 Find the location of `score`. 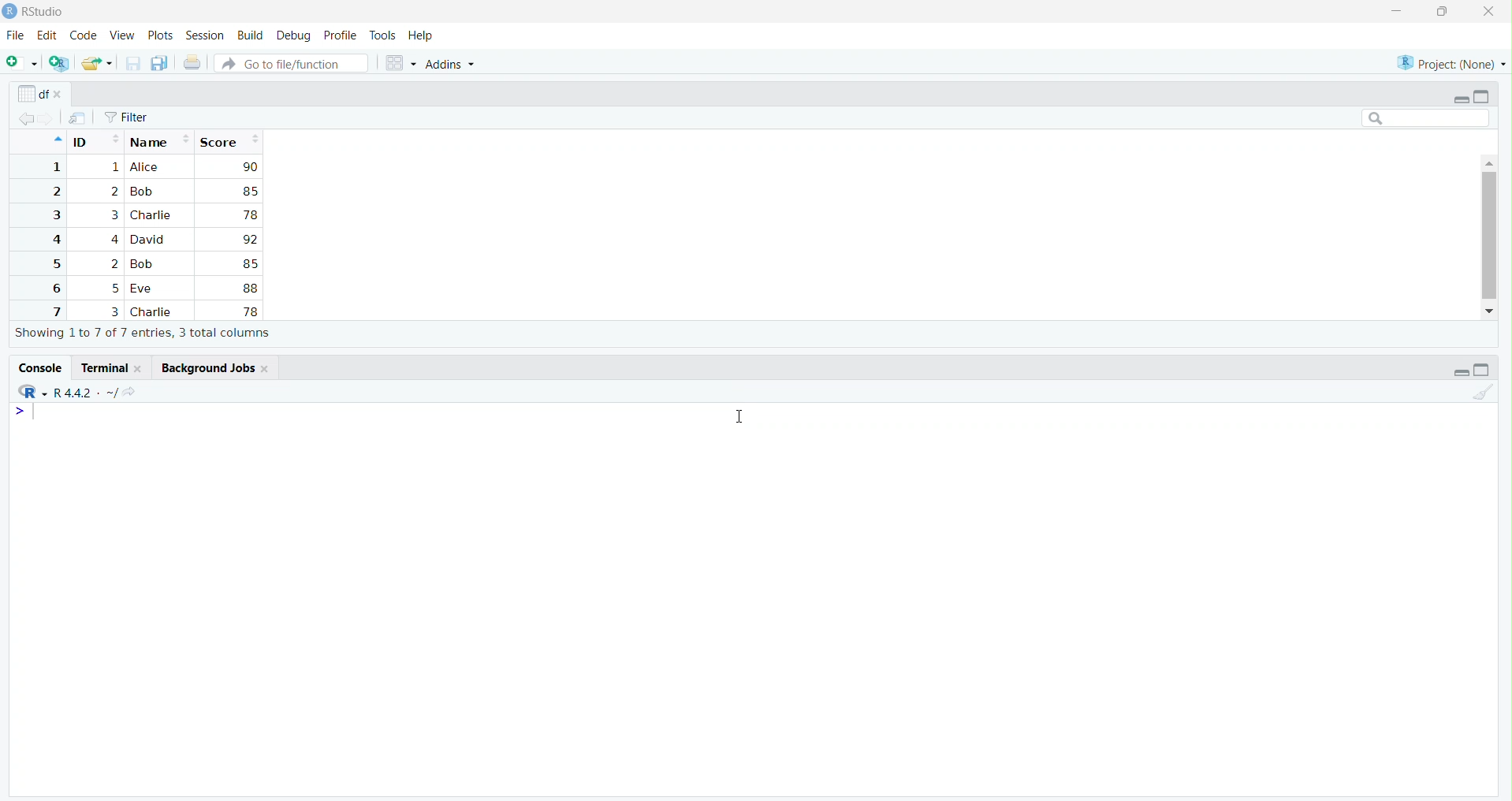

score is located at coordinates (229, 141).